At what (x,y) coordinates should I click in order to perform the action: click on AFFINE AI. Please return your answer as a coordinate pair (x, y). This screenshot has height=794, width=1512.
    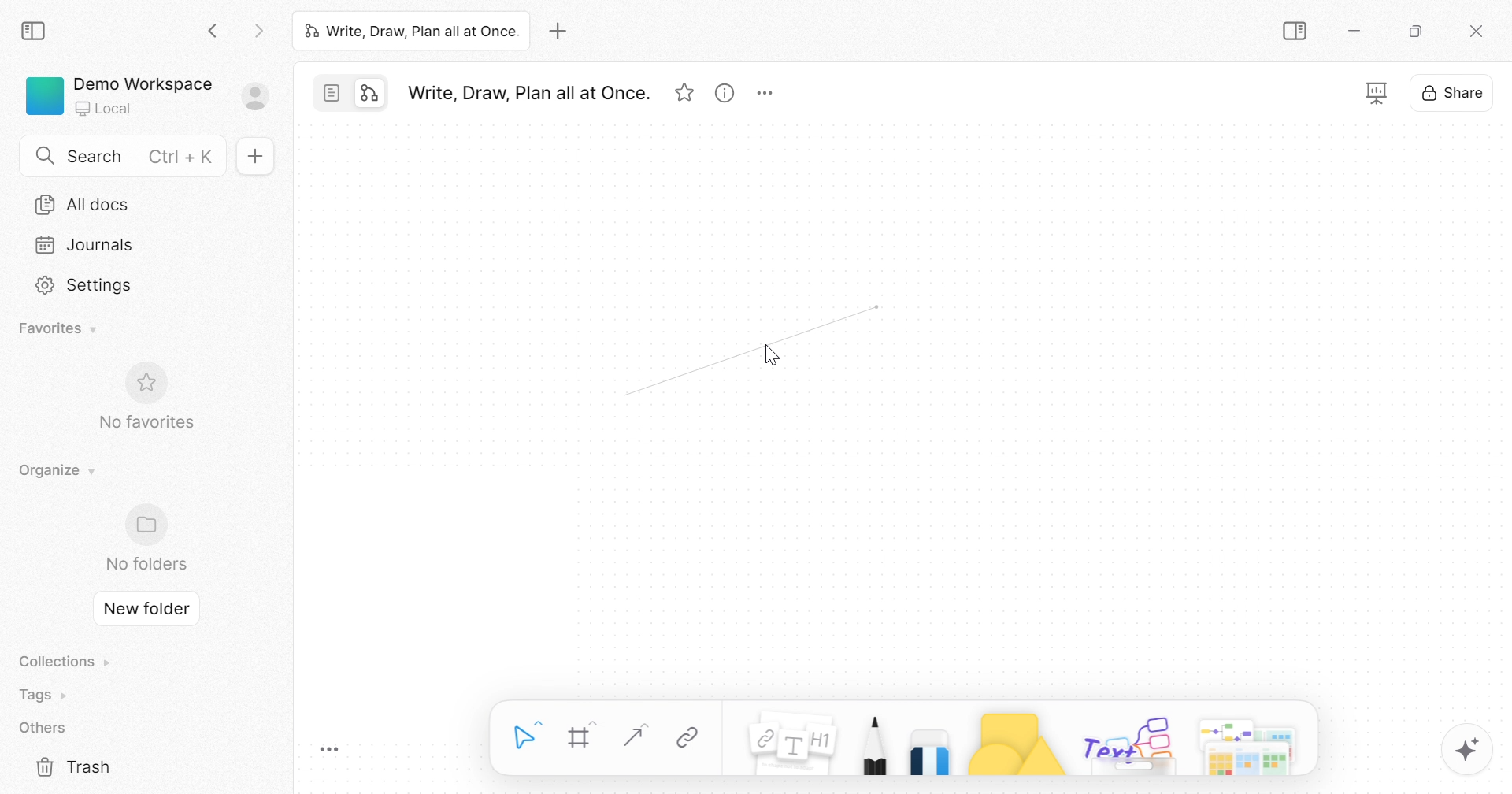
    Looking at the image, I should click on (1469, 753).